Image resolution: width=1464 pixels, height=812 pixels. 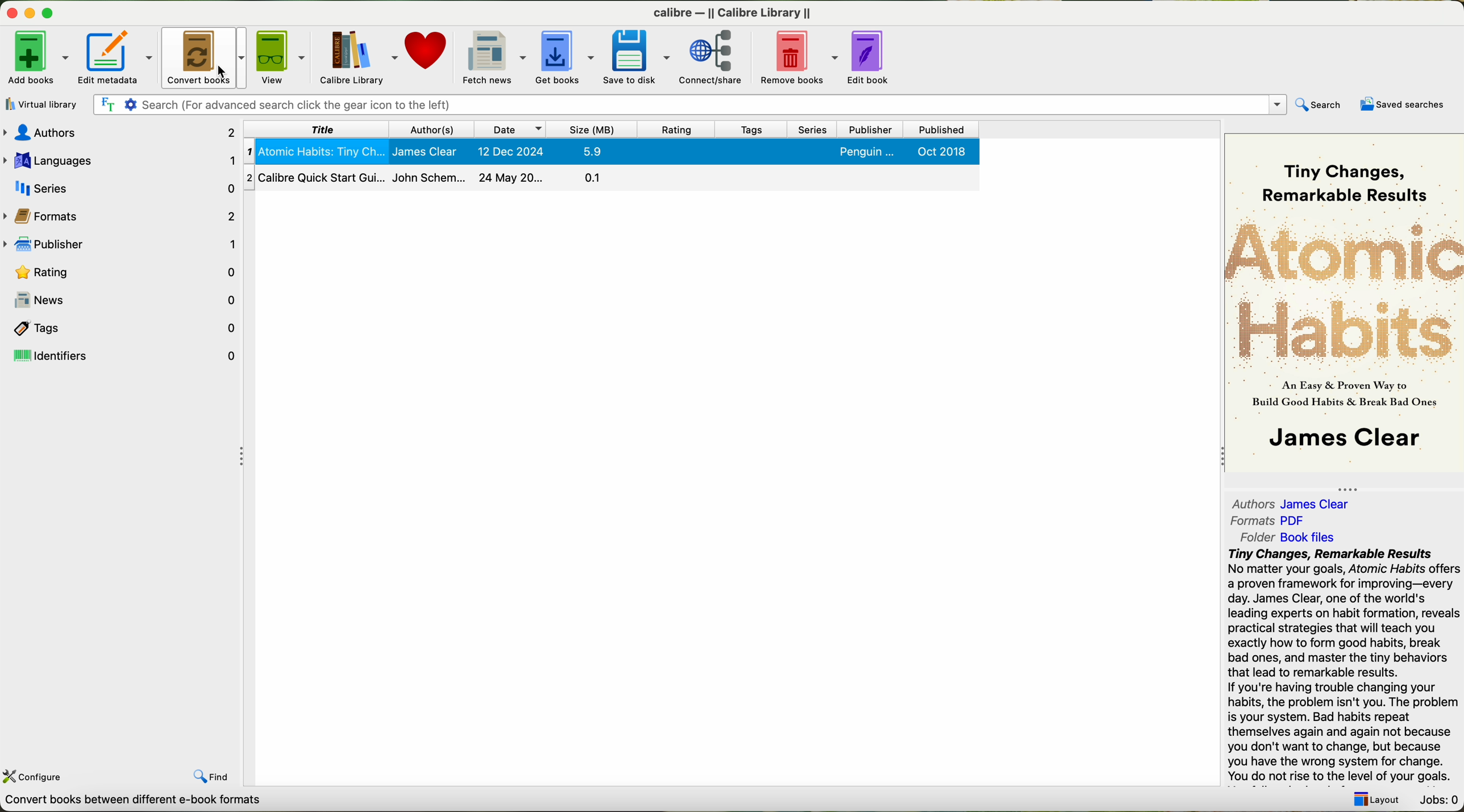 I want to click on date, so click(x=509, y=129).